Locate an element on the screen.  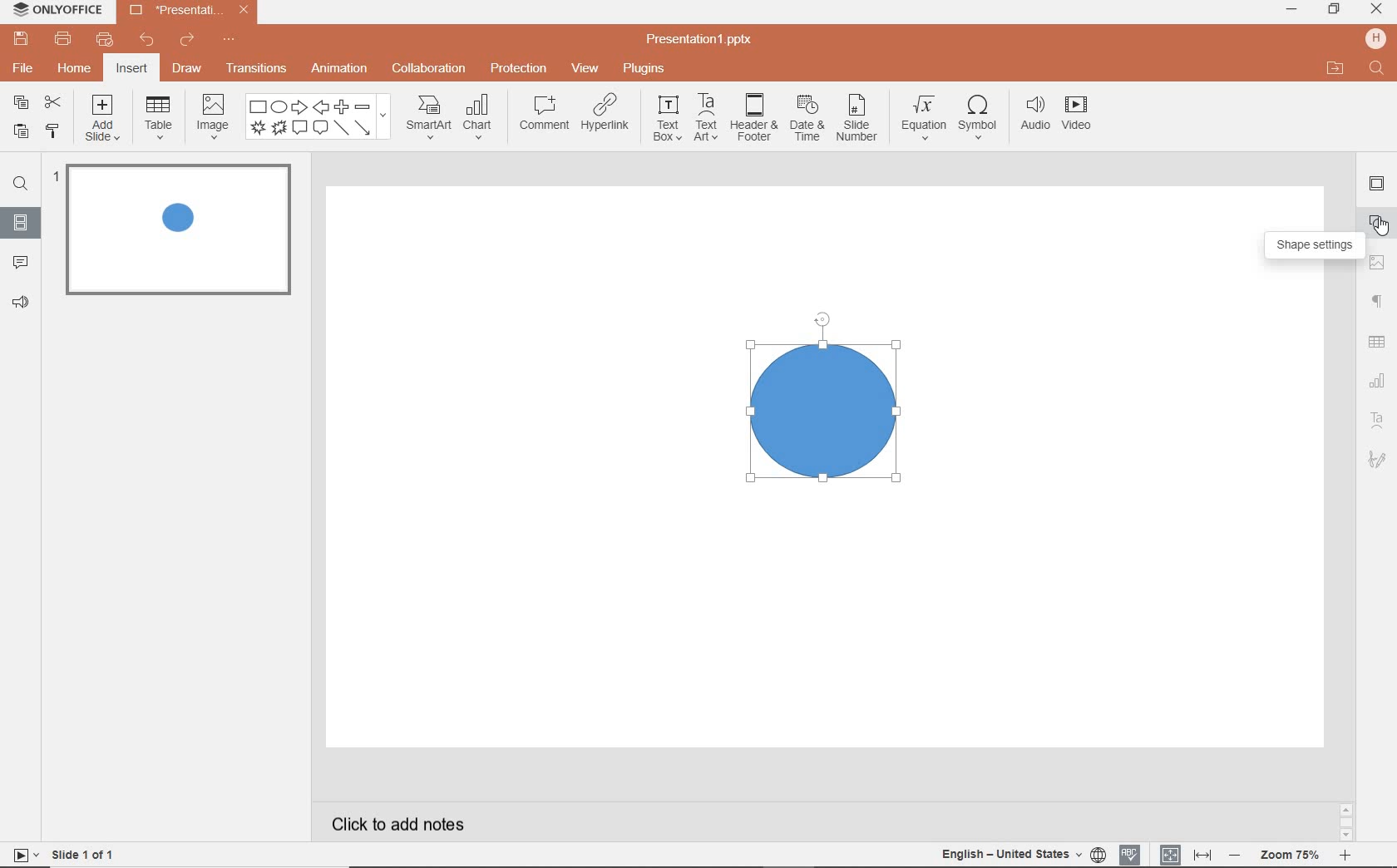
smart art is located at coordinates (428, 118).